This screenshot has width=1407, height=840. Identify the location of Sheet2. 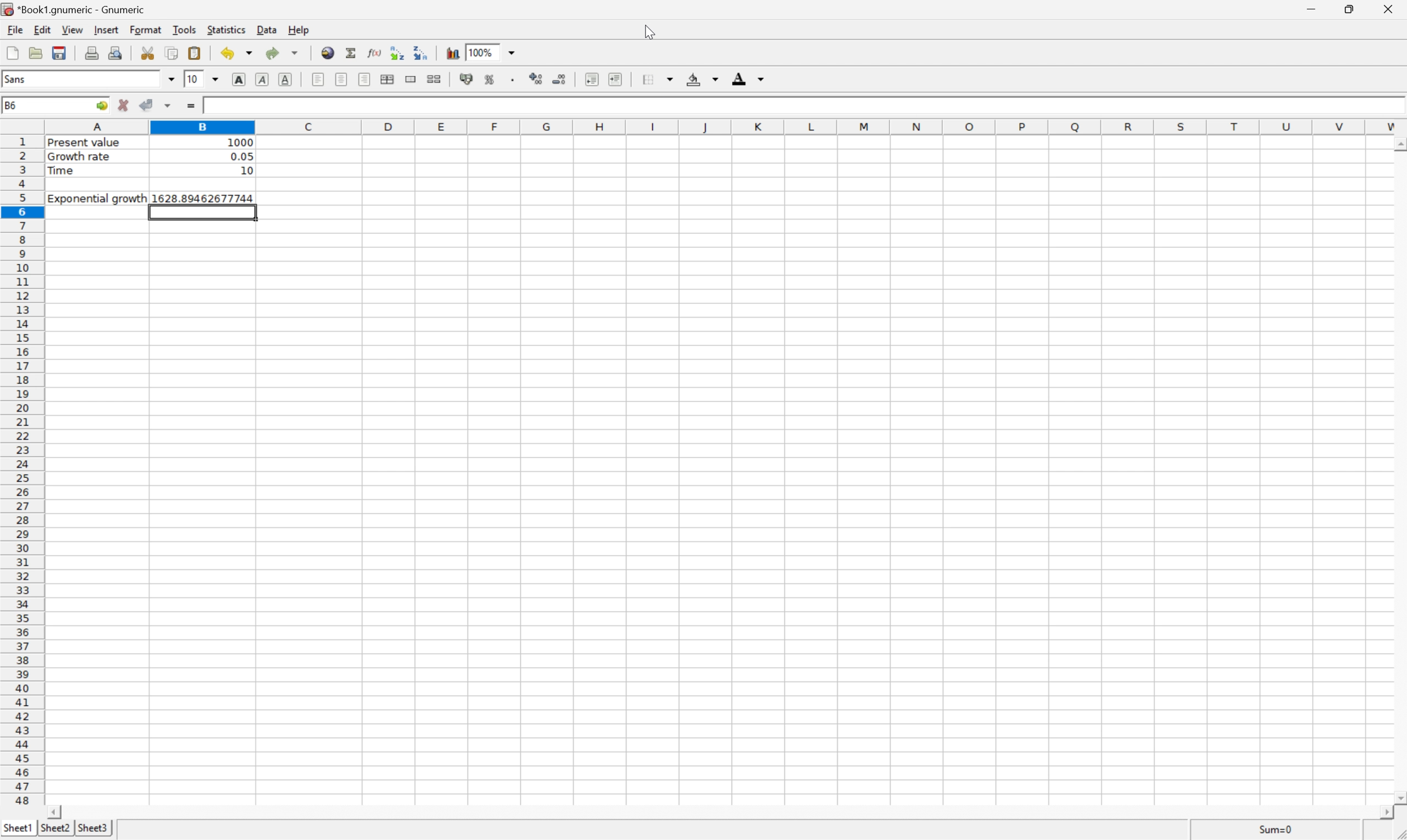
(57, 827).